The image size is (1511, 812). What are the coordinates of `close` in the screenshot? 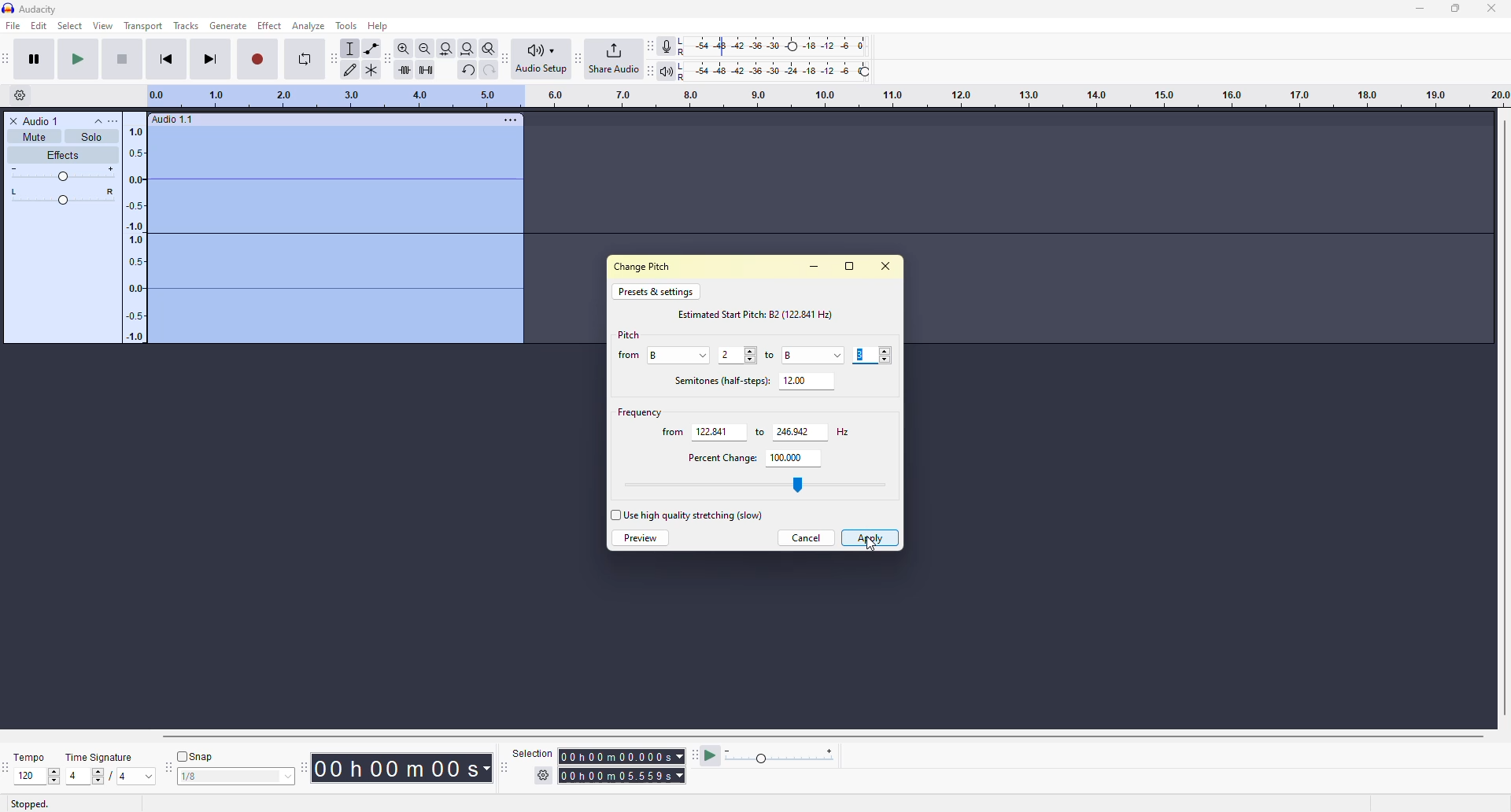 It's located at (1493, 8).